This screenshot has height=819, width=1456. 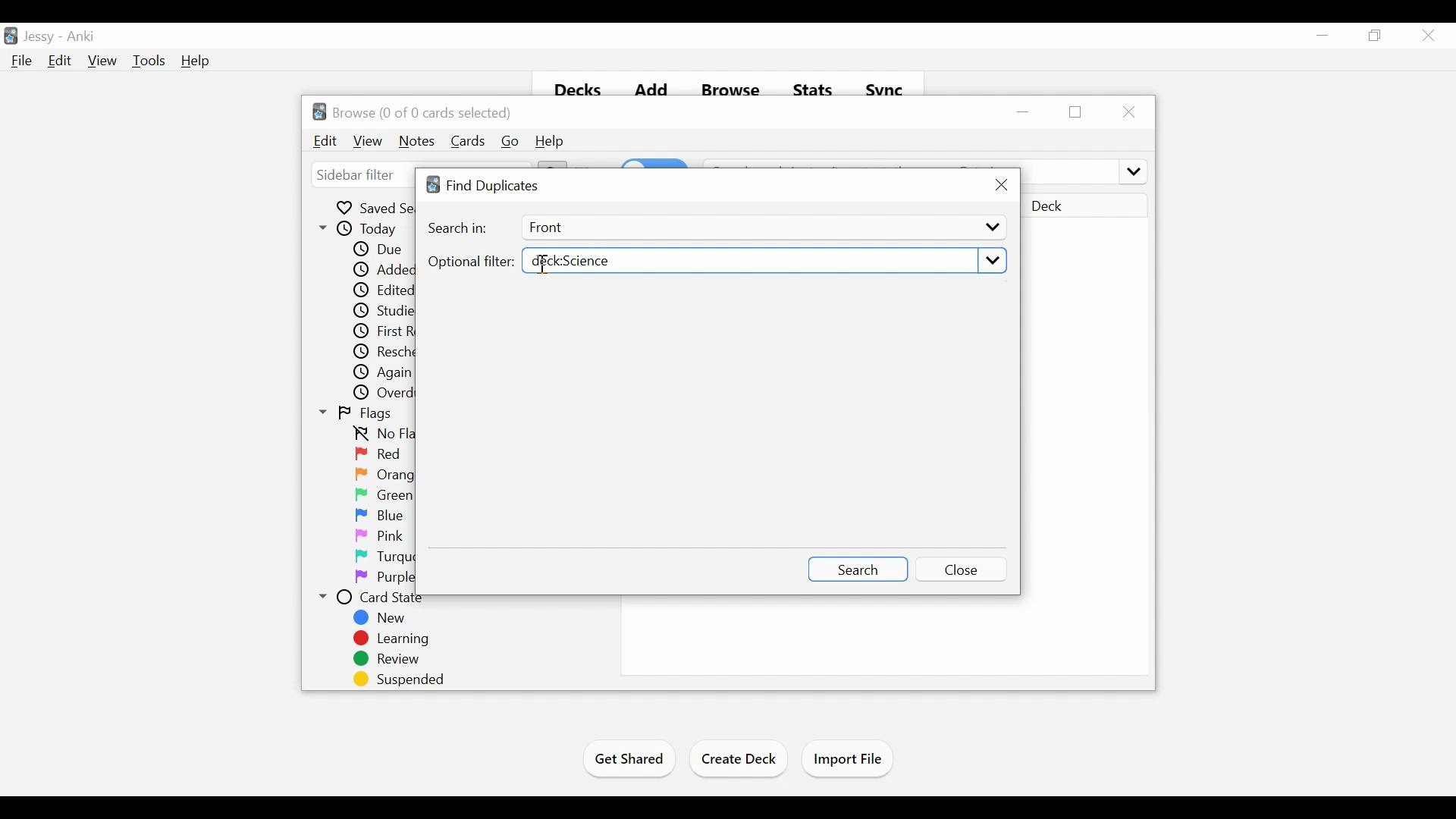 What do you see at coordinates (326, 141) in the screenshot?
I see `Edit` at bounding box center [326, 141].